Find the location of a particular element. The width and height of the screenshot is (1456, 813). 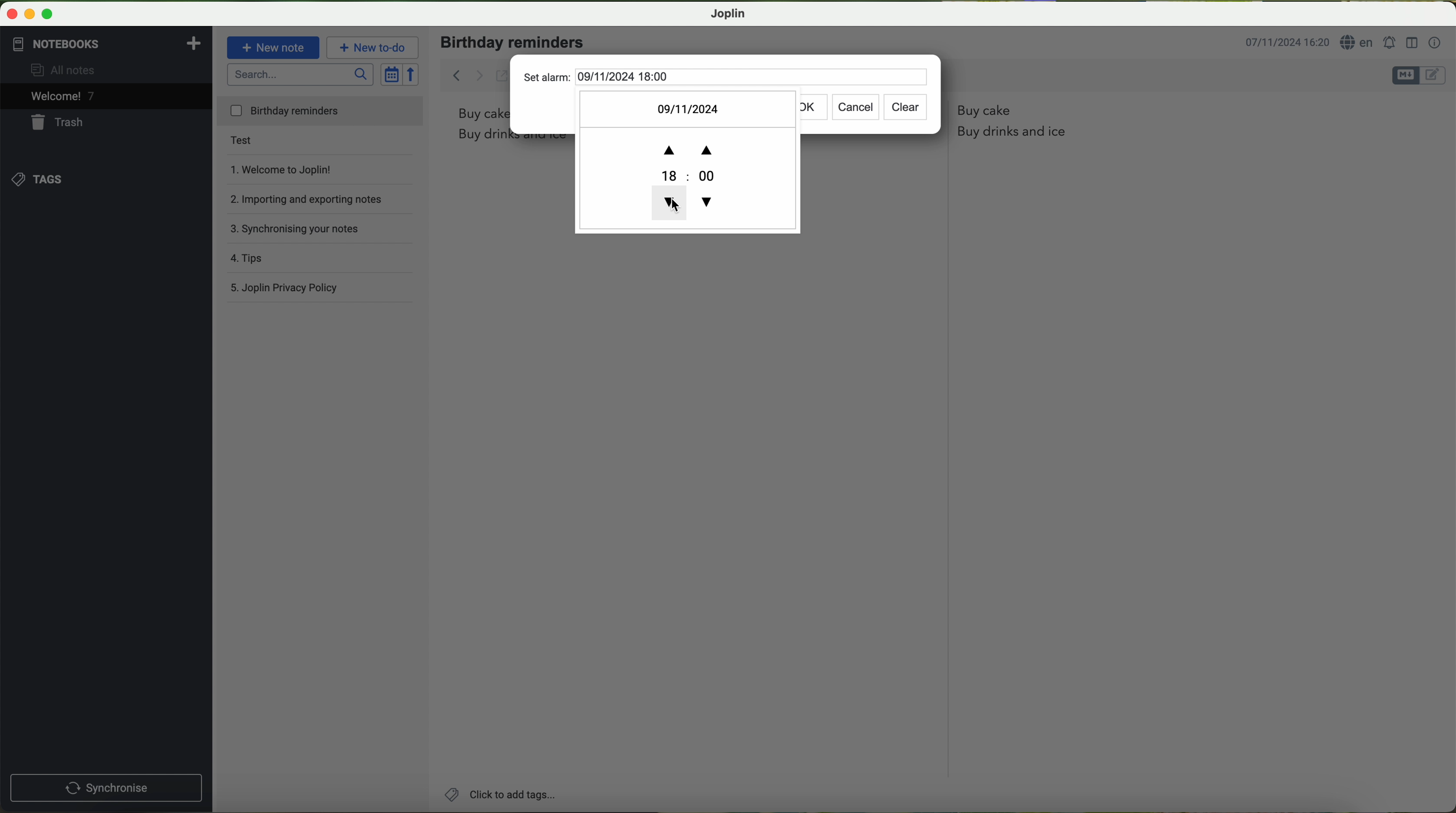

language is located at coordinates (1359, 44).